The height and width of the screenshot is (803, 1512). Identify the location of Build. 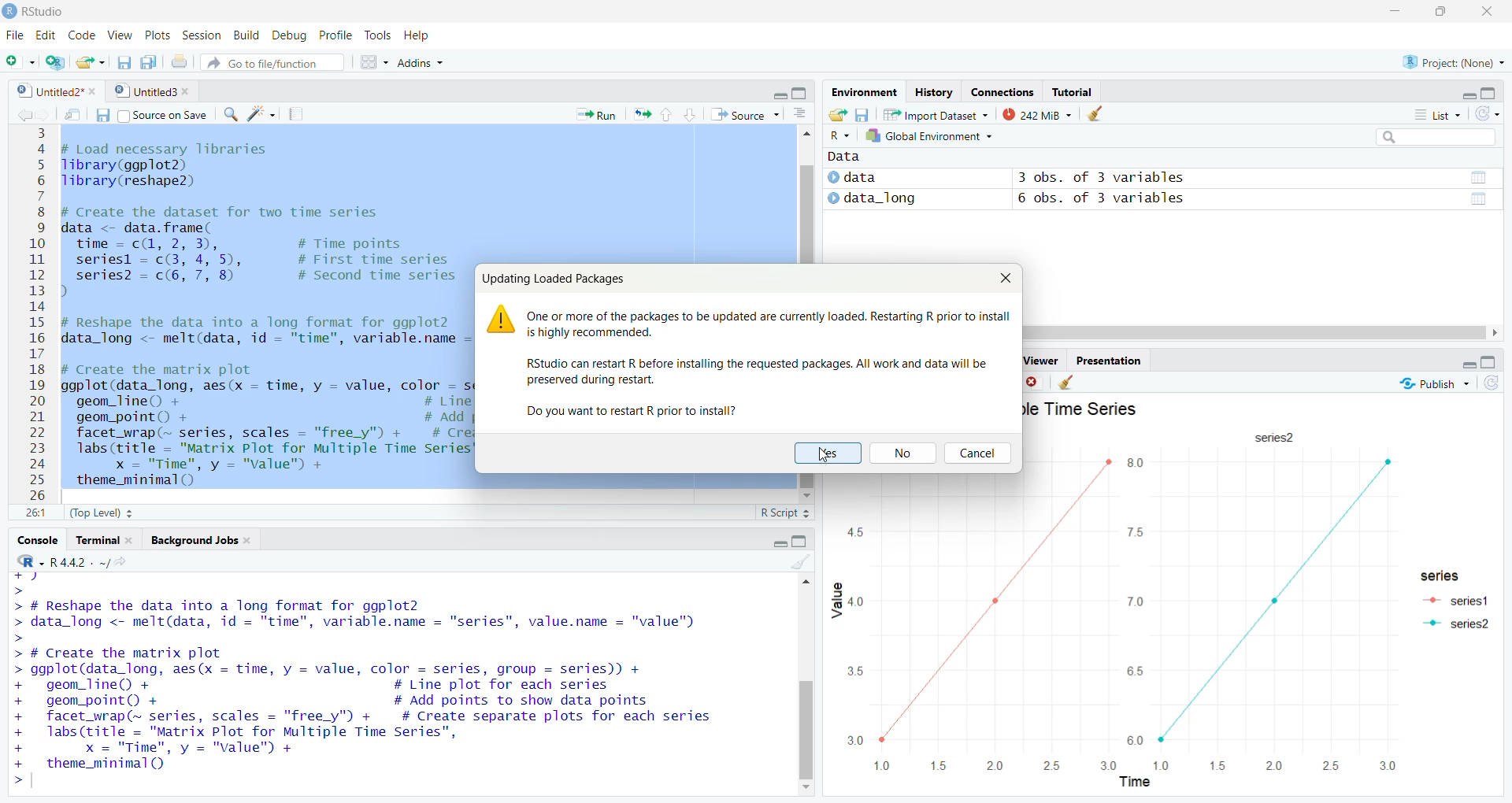
(245, 35).